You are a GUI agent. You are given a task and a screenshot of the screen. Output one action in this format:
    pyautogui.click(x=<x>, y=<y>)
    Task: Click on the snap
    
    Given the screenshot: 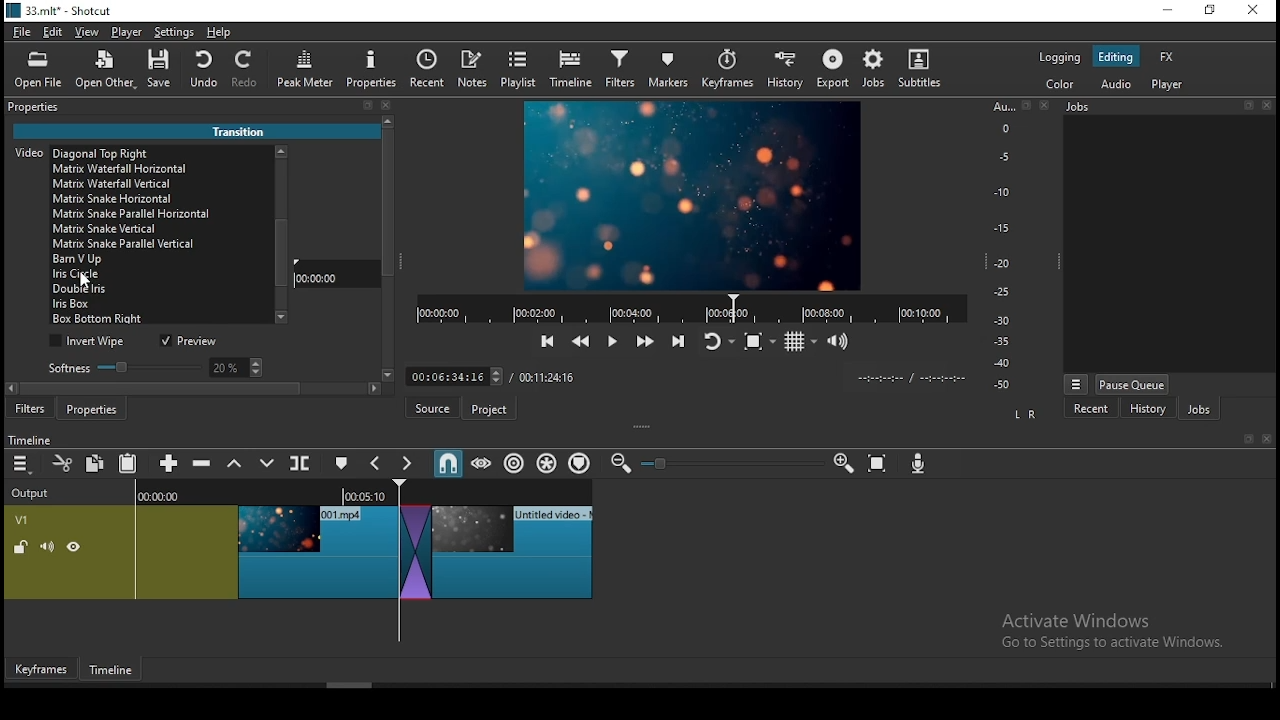 What is the action you would take?
    pyautogui.click(x=447, y=463)
    